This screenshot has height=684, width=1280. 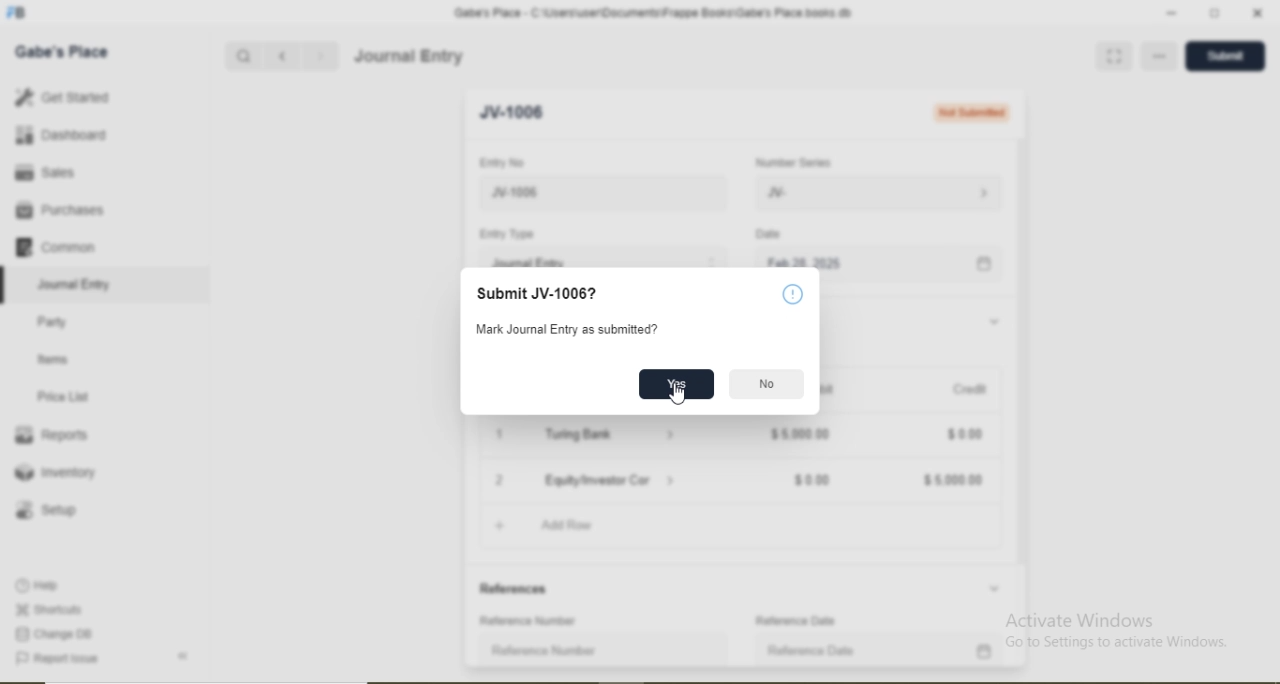 I want to click on Help, so click(x=793, y=294).